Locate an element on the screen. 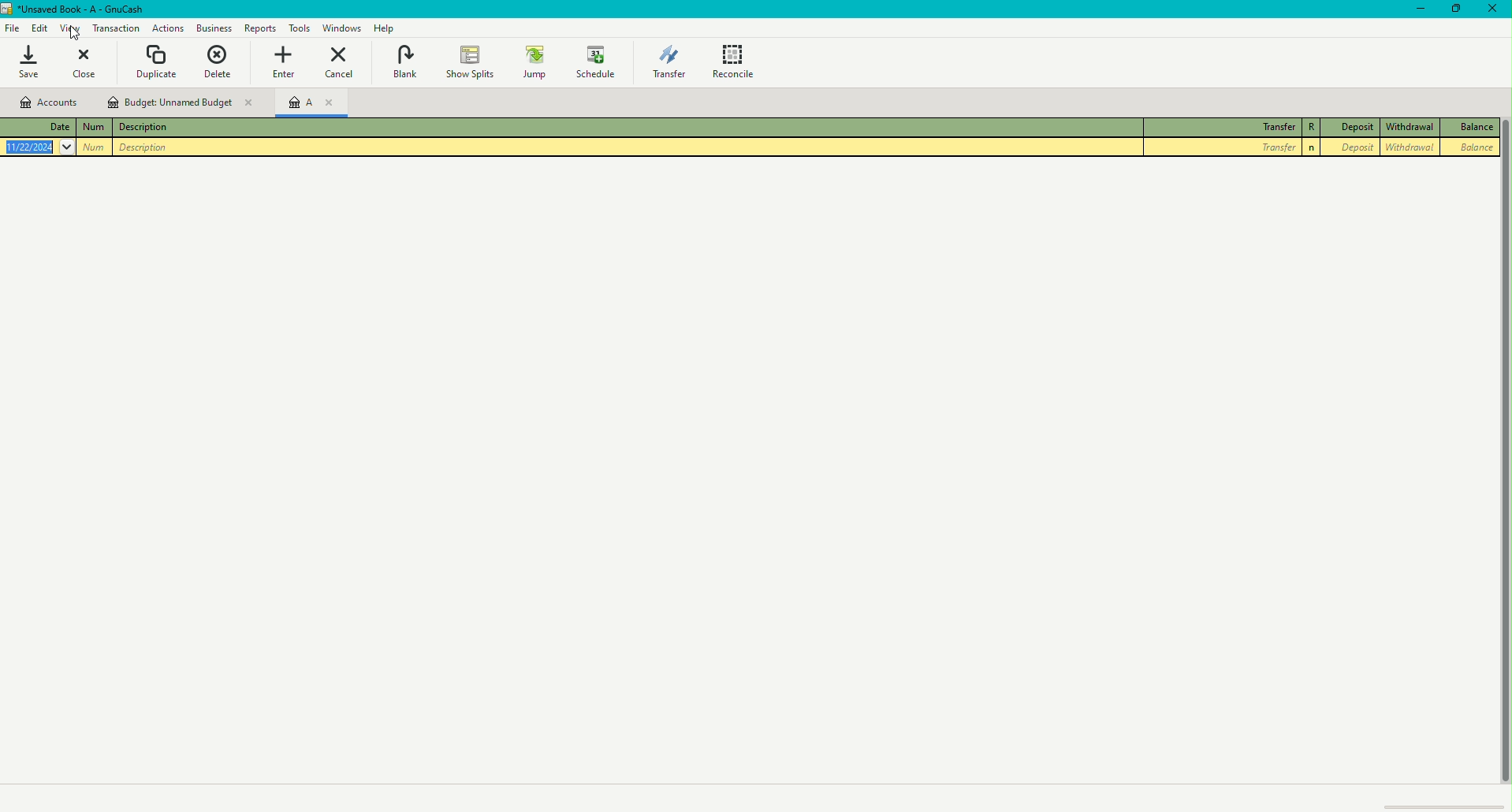 The width and height of the screenshot is (1512, 812). Accounts is located at coordinates (47, 102).